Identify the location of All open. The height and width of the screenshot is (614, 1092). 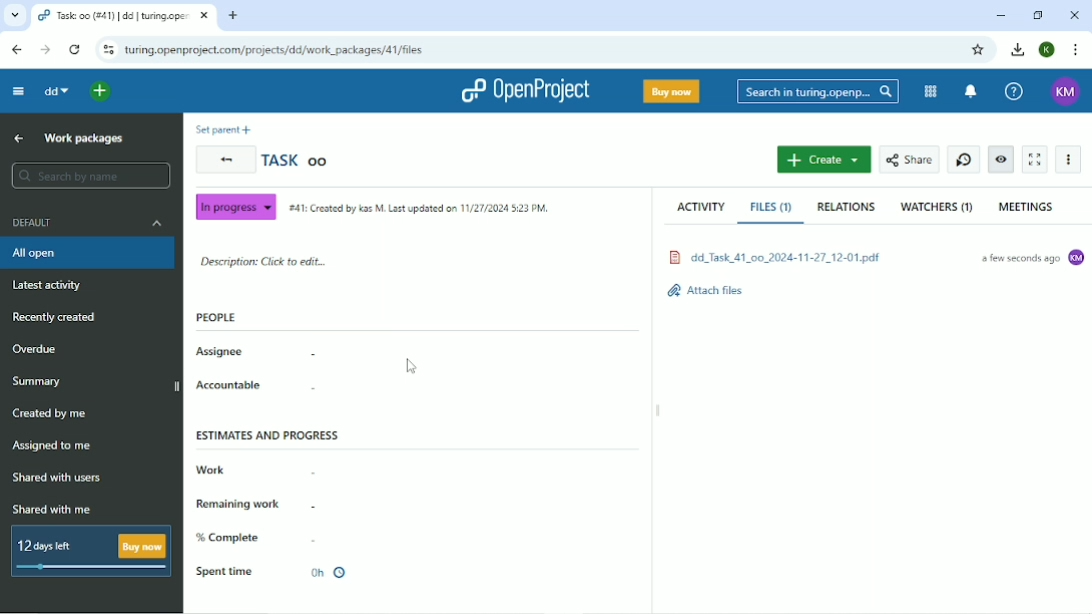
(89, 253).